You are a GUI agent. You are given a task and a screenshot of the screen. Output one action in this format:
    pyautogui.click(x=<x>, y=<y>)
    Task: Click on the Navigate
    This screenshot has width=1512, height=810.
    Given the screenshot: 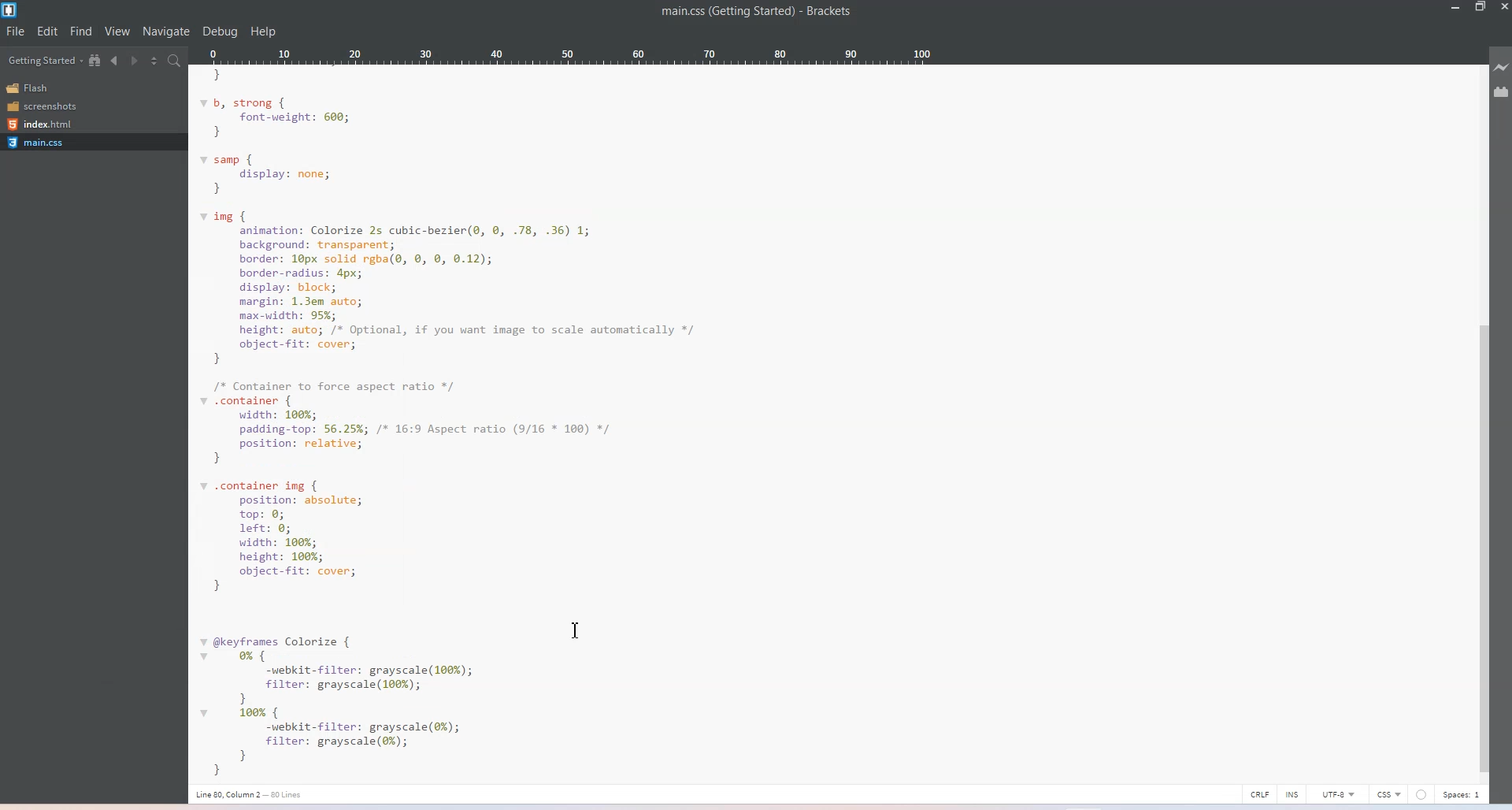 What is the action you would take?
    pyautogui.click(x=167, y=32)
    